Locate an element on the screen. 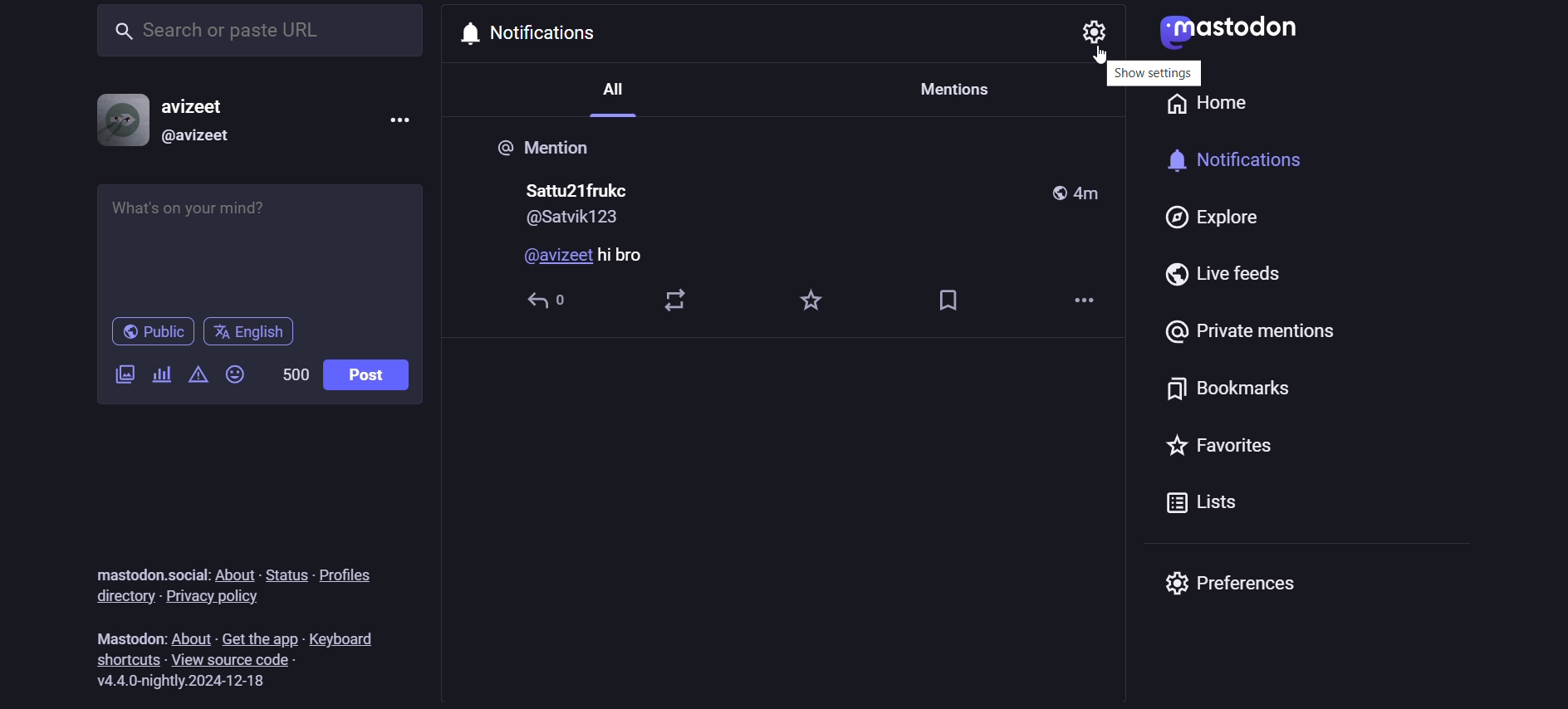 The image size is (1568, 709). Mastodon is located at coordinates (128, 637).